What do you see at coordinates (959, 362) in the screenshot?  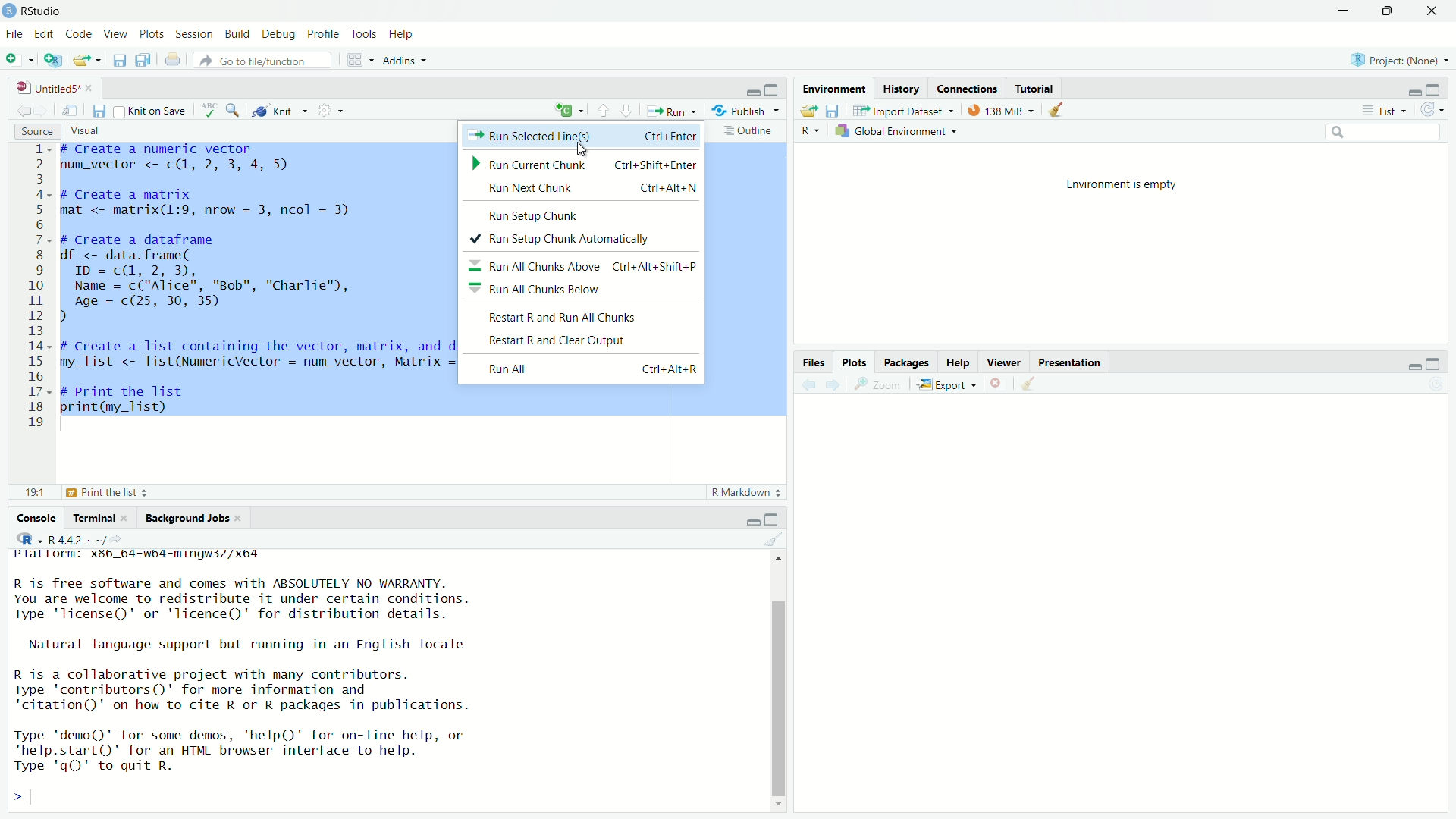 I see `Help` at bounding box center [959, 362].